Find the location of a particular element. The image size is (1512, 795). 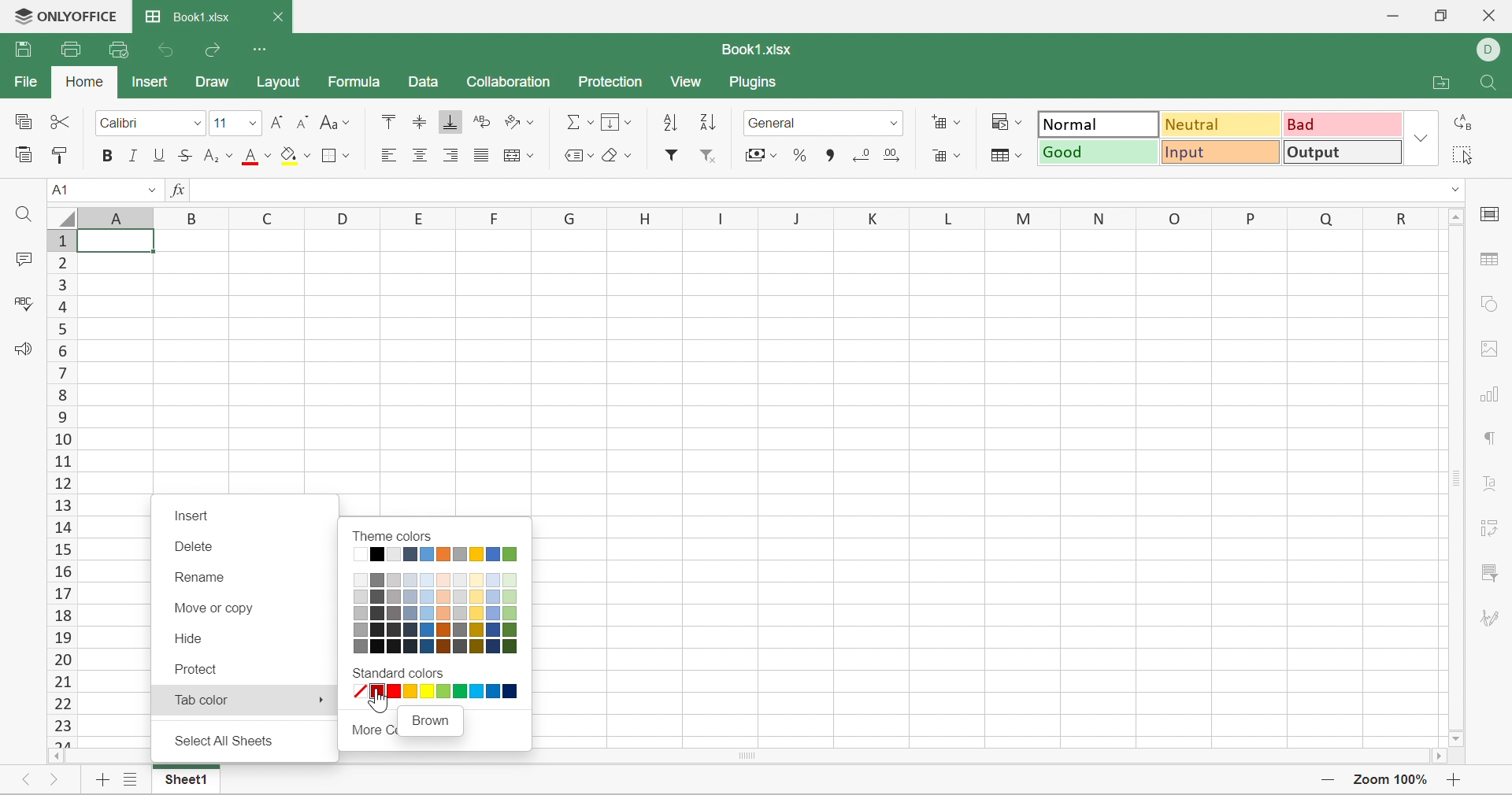

More is located at coordinates (316, 698).